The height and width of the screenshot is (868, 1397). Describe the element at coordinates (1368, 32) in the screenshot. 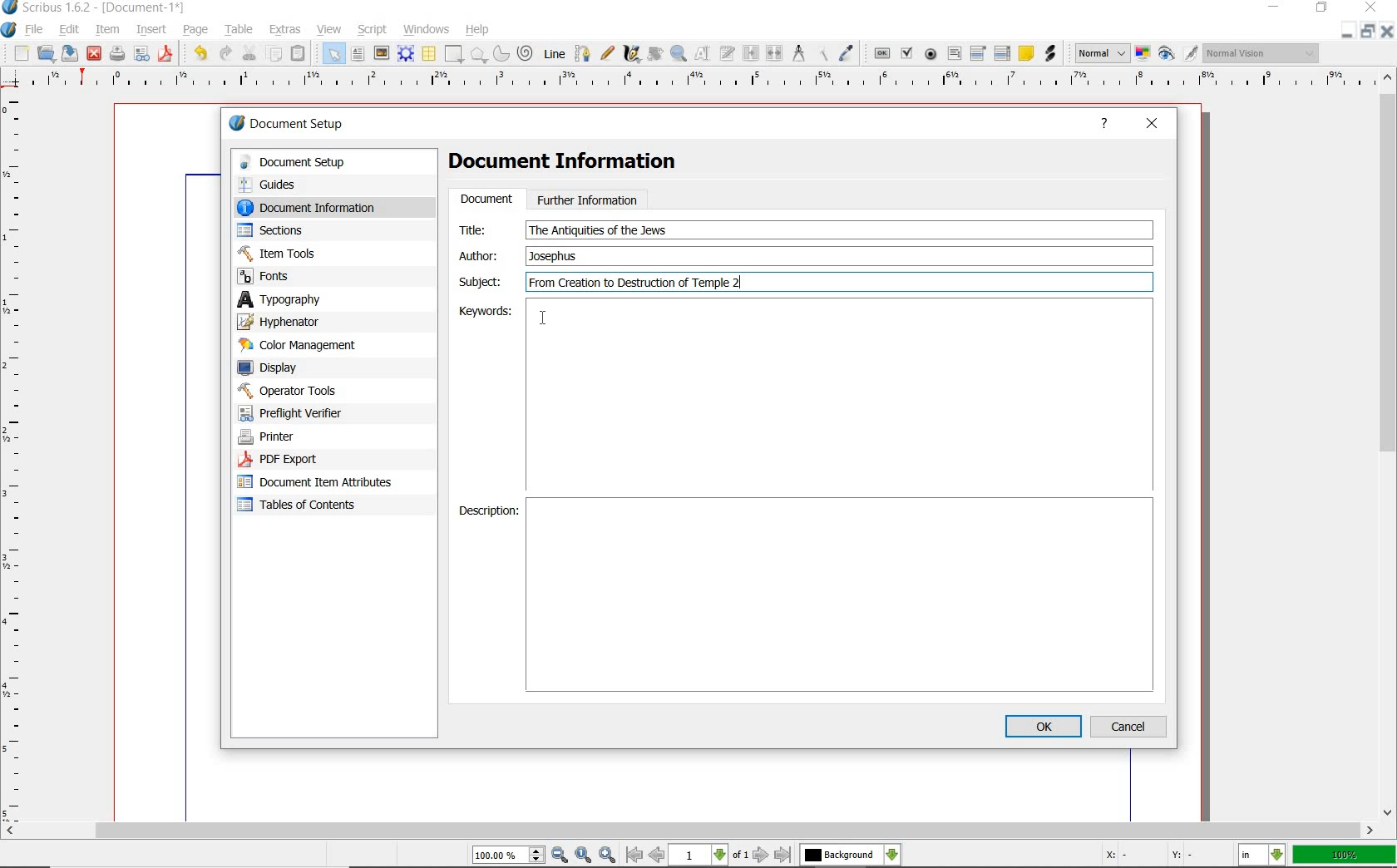

I see `restore` at that location.